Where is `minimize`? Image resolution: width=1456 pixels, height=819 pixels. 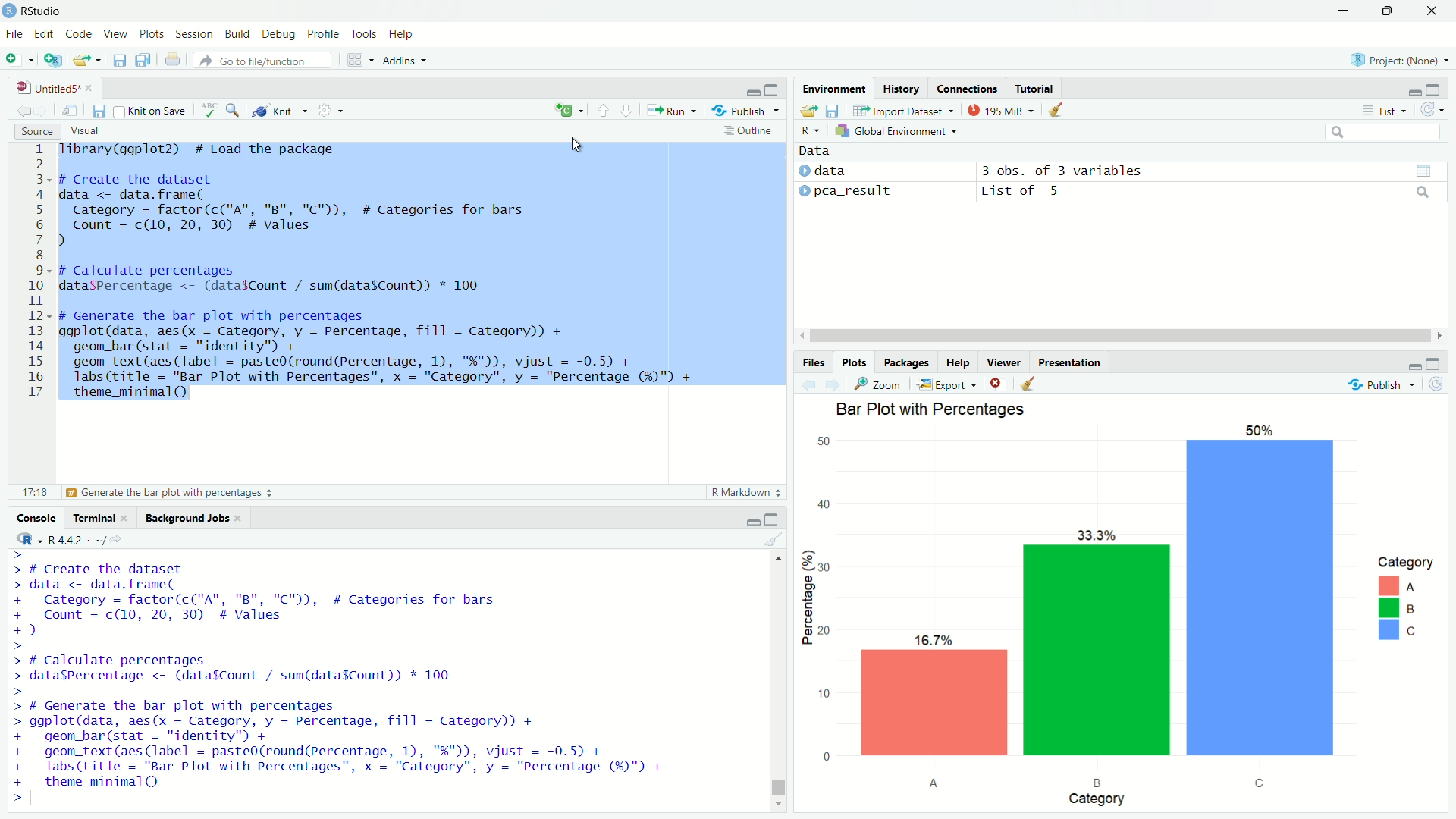 minimize is located at coordinates (752, 89).